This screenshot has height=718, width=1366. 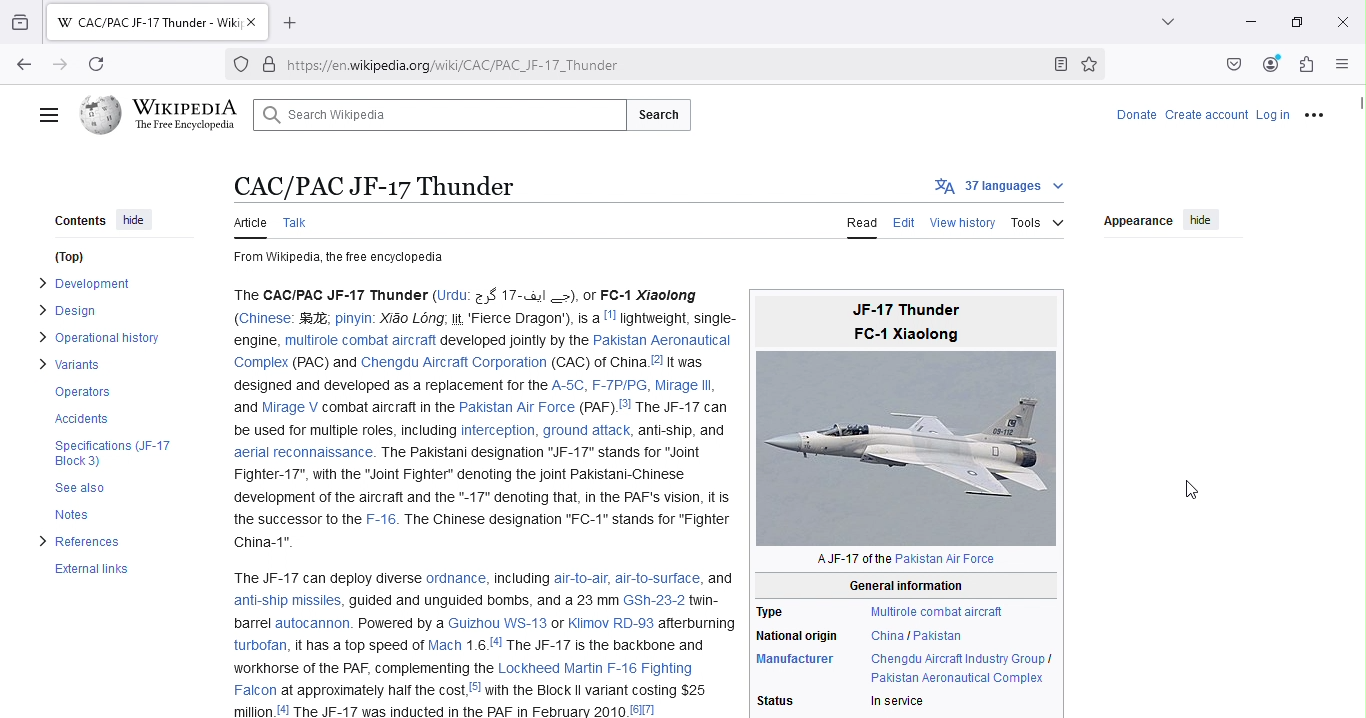 I want to click on Close tab, so click(x=258, y=23).